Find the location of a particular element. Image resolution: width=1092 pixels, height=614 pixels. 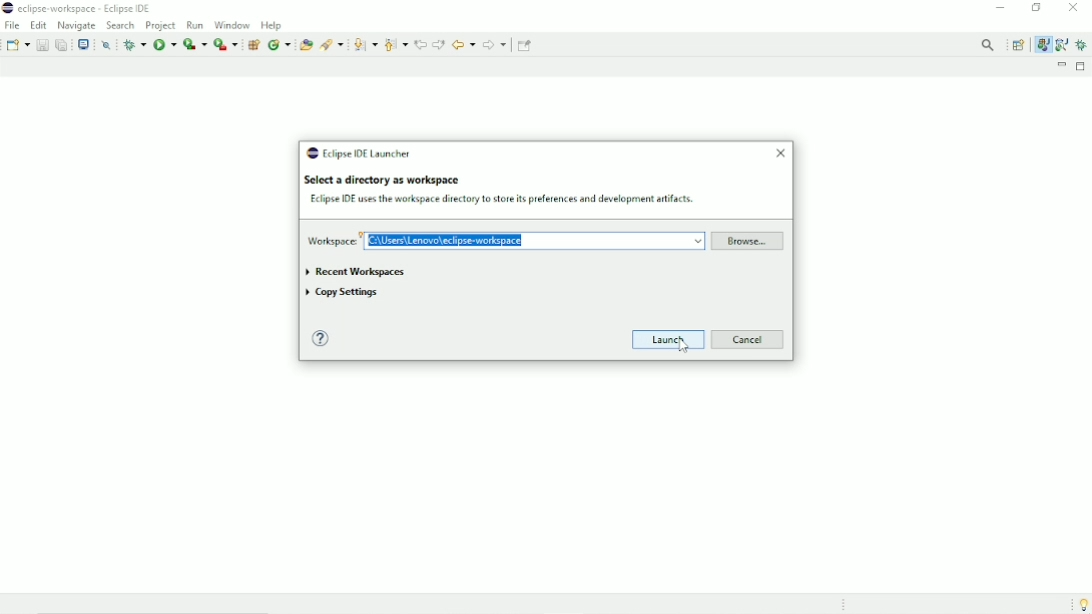

Save is located at coordinates (41, 43).